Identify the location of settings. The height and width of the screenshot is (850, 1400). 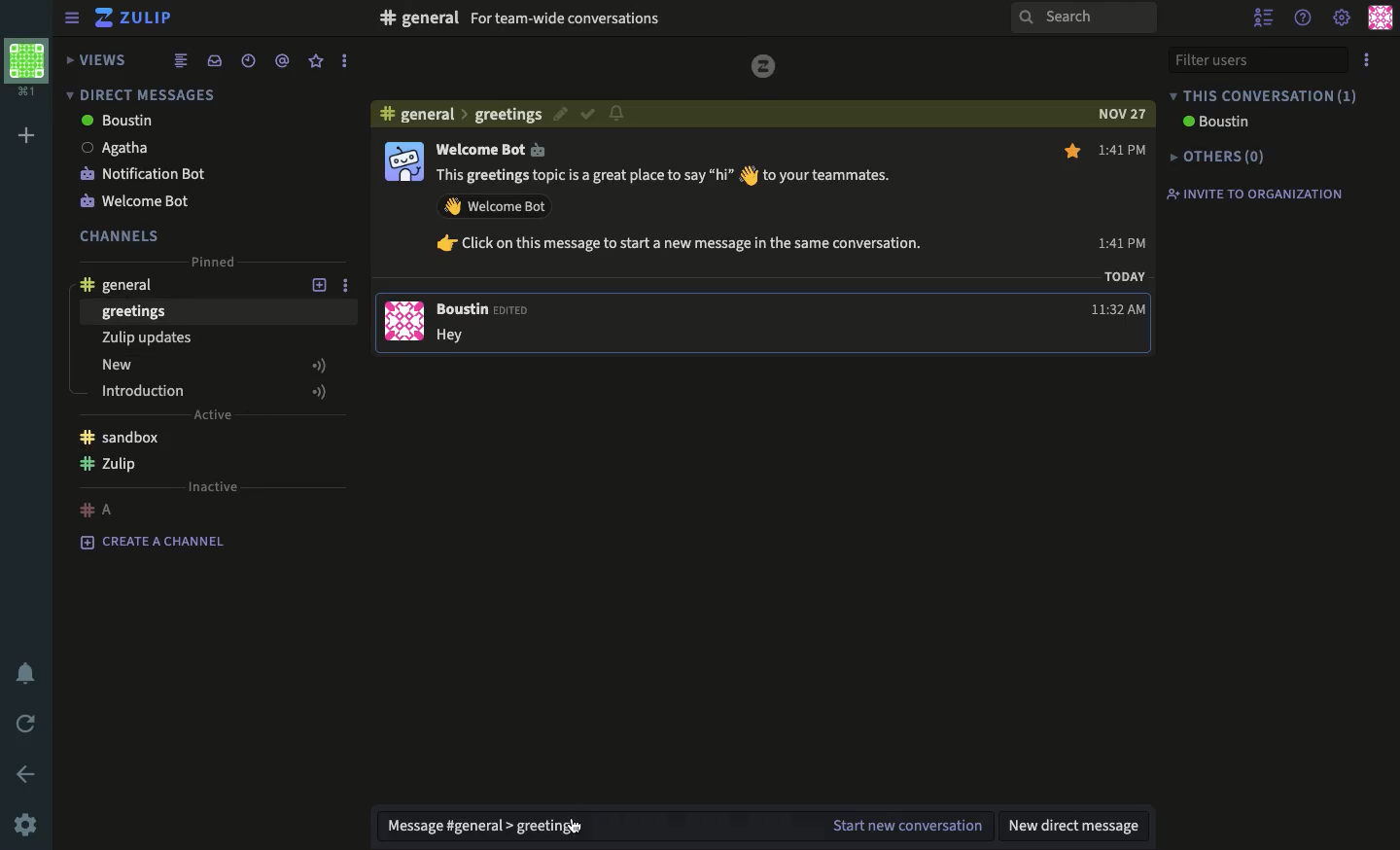
(1343, 19).